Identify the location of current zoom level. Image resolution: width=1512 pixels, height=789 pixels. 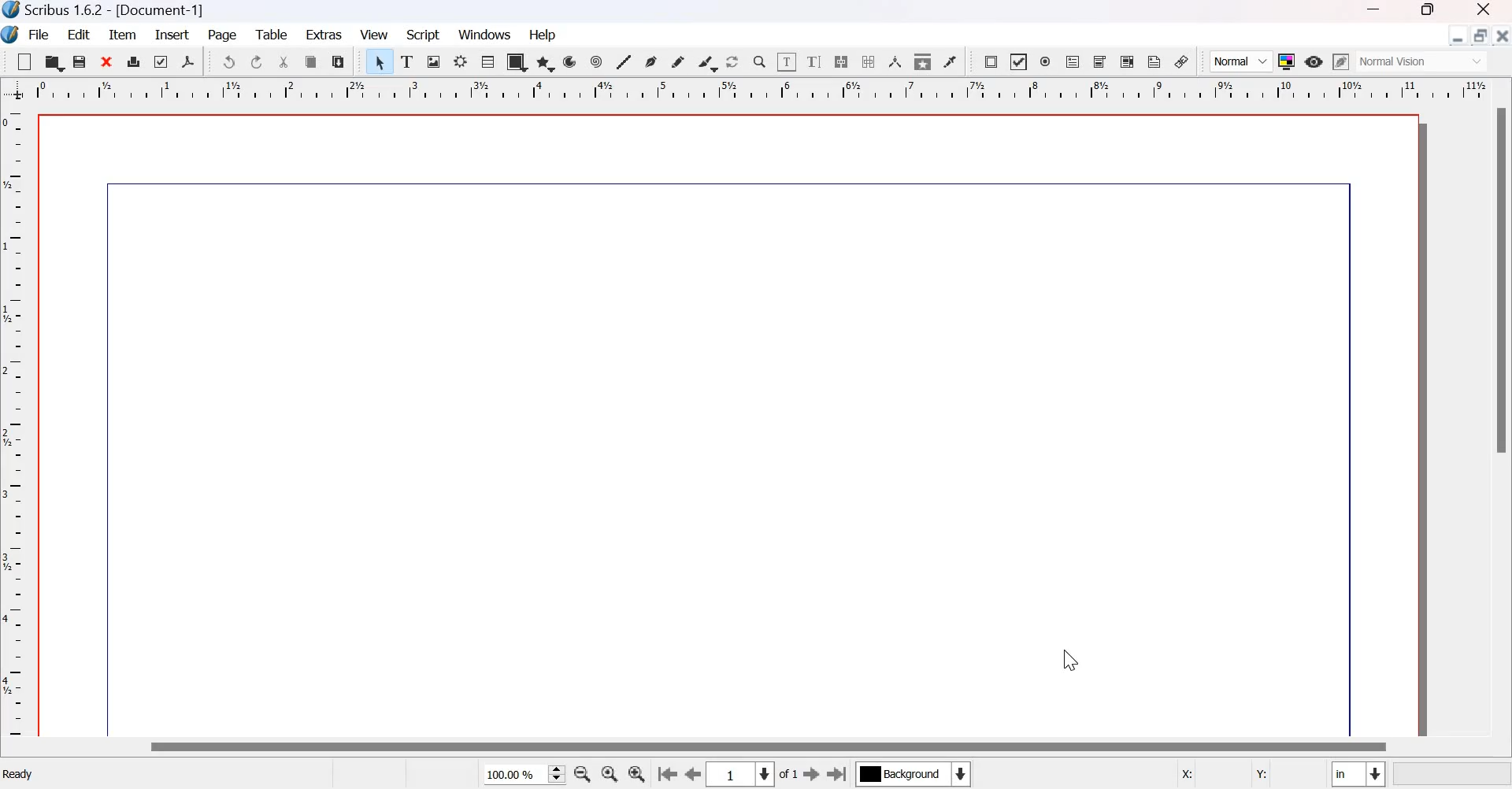
(523, 773).